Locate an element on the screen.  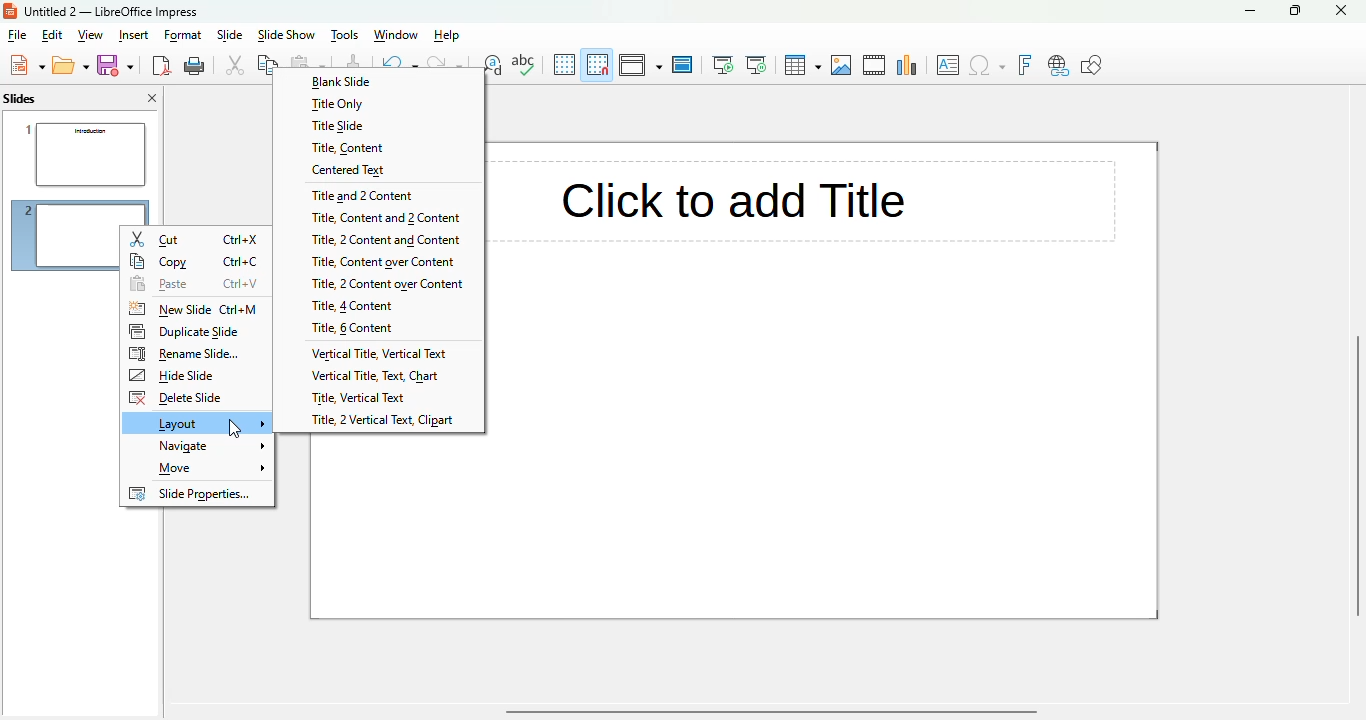
new slide is located at coordinates (58, 236).